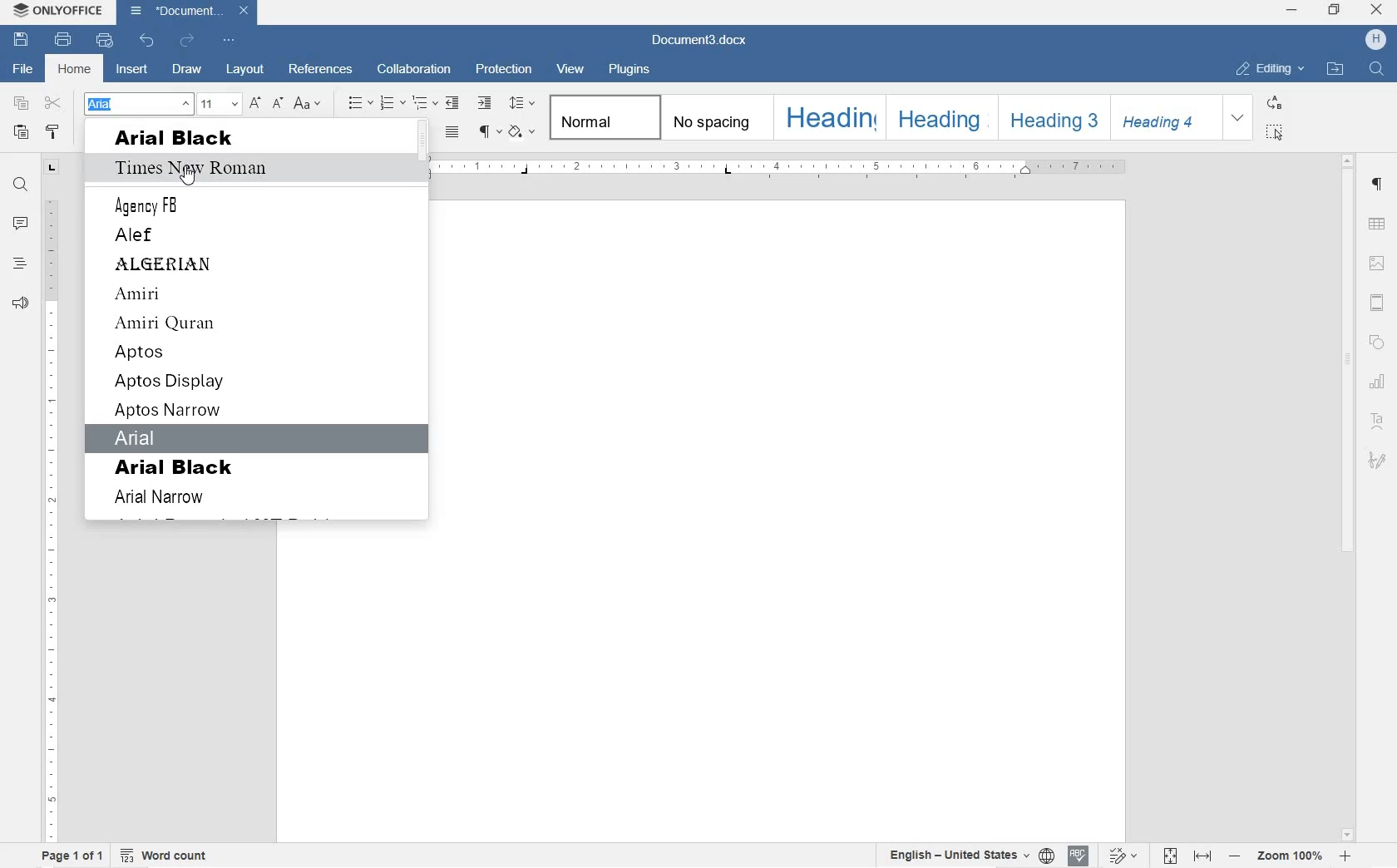 This screenshot has width=1397, height=868. Describe the element at coordinates (204, 168) in the screenshot. I see `Time New Roman` at that location.